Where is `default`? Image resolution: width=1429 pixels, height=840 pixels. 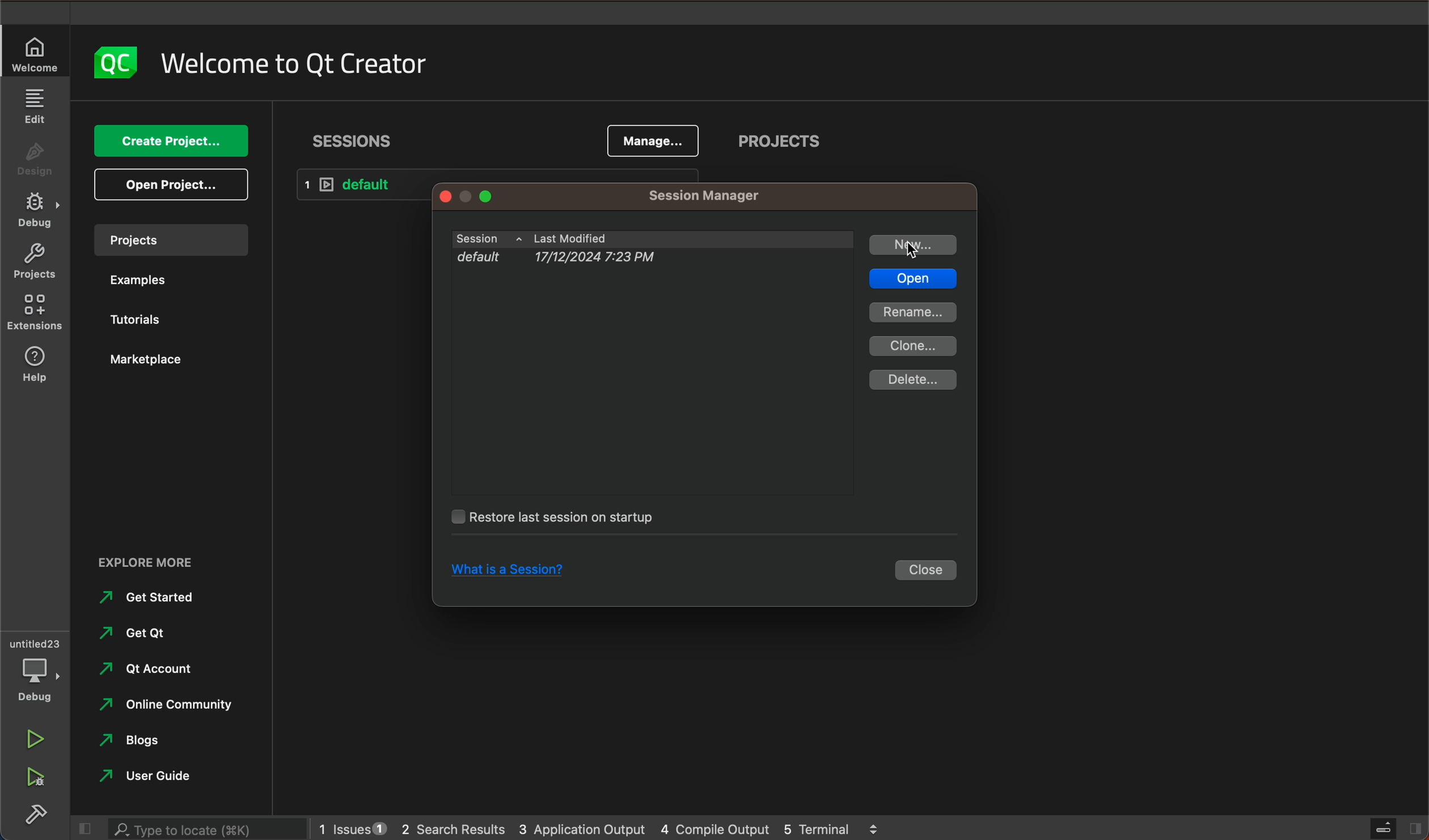
default is located at coordinates (365, 185).